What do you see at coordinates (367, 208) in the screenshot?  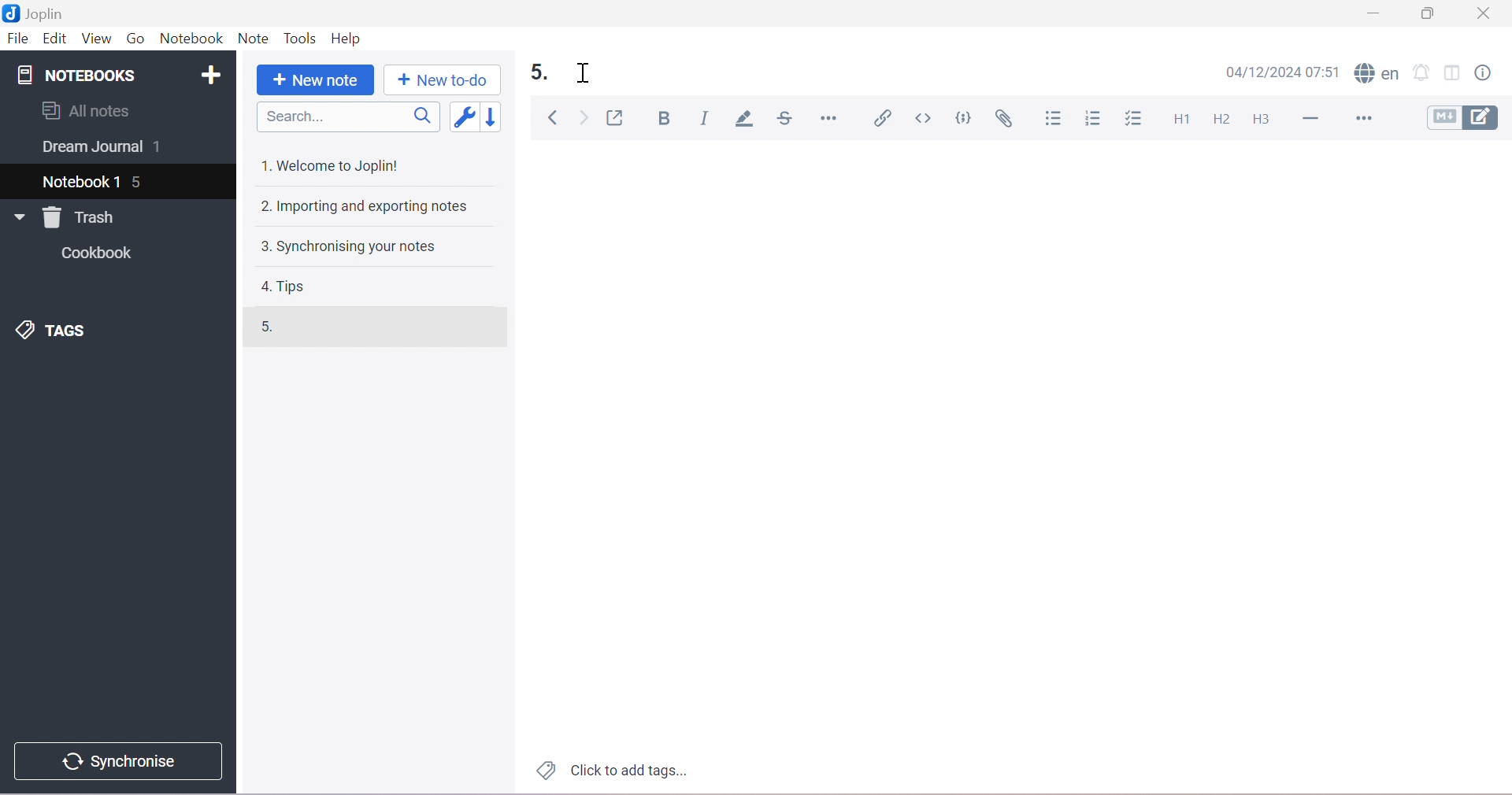 I see `2. Importing and exporting notes` at bounding box center [367, 208].